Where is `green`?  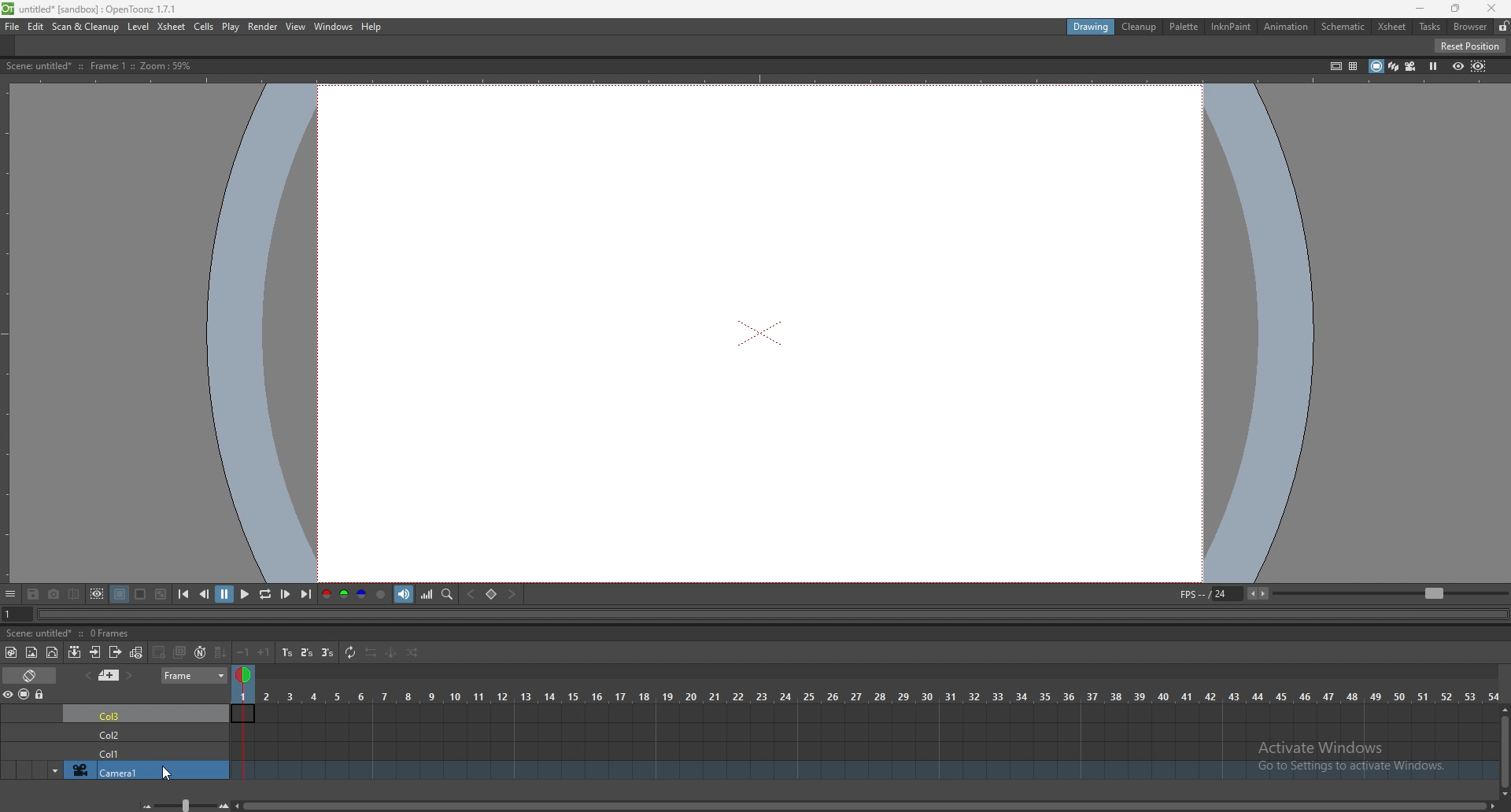
green is located at coordinates (343, 595).